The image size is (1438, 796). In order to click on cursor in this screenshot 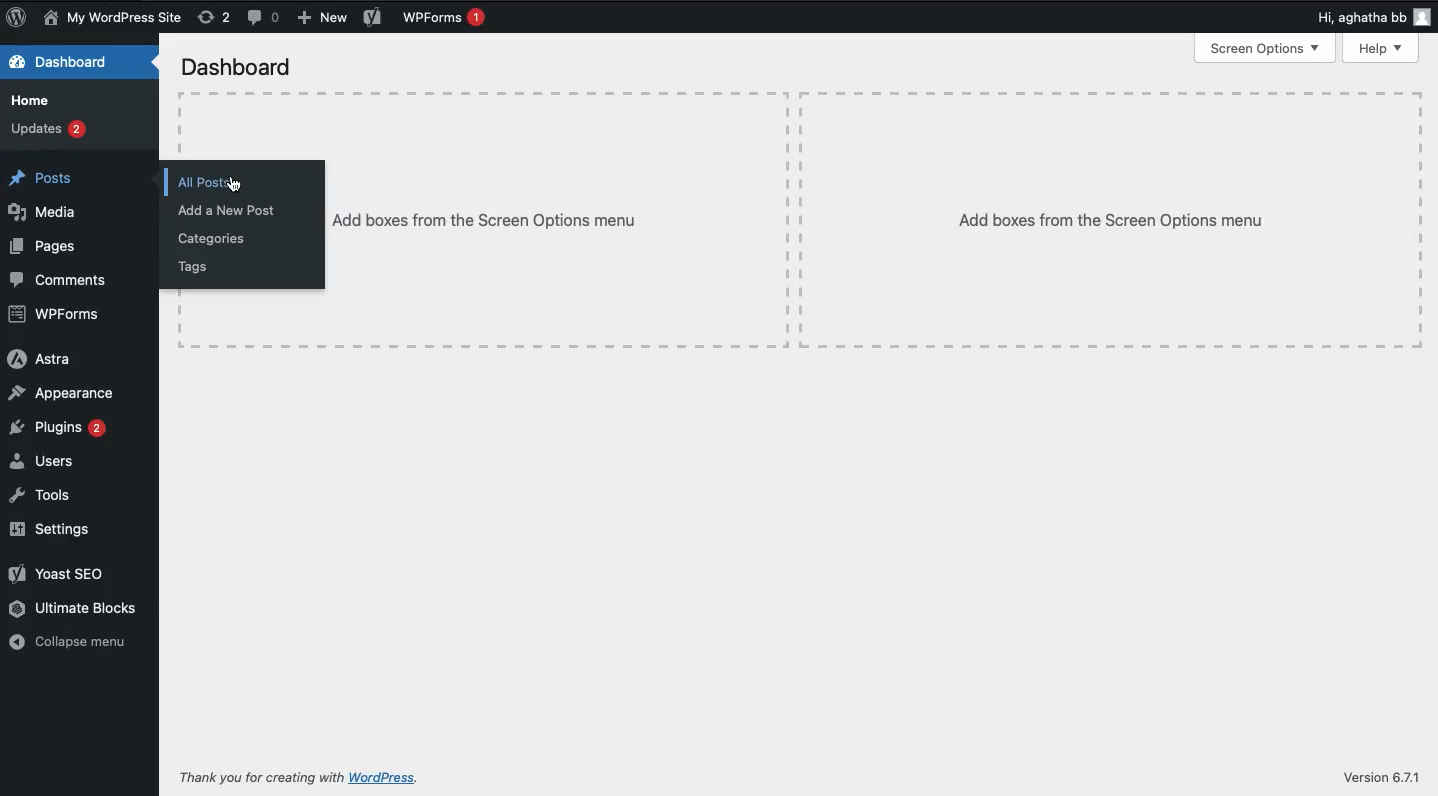, I will do `click(236, 187)`.